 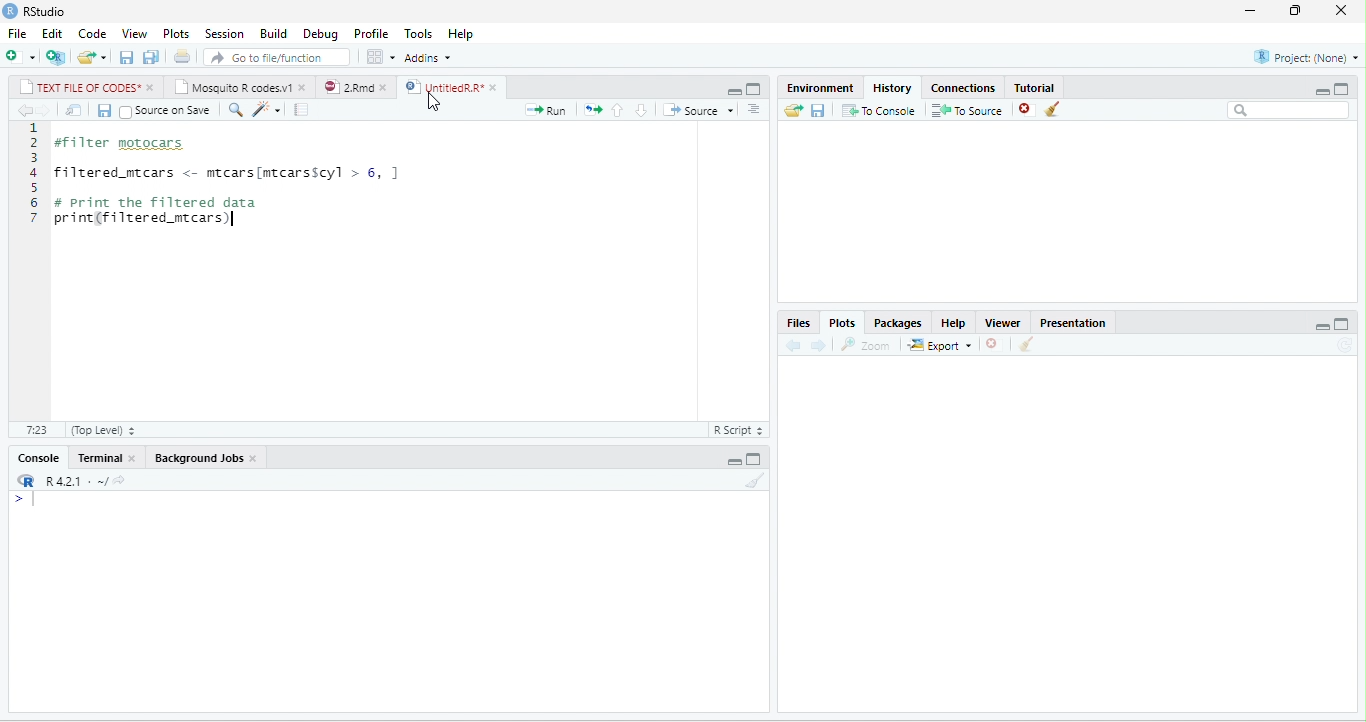 What do you see at coordinates (134, 457) in the screenshot?
I see `close` at bounding box center [134, 457].